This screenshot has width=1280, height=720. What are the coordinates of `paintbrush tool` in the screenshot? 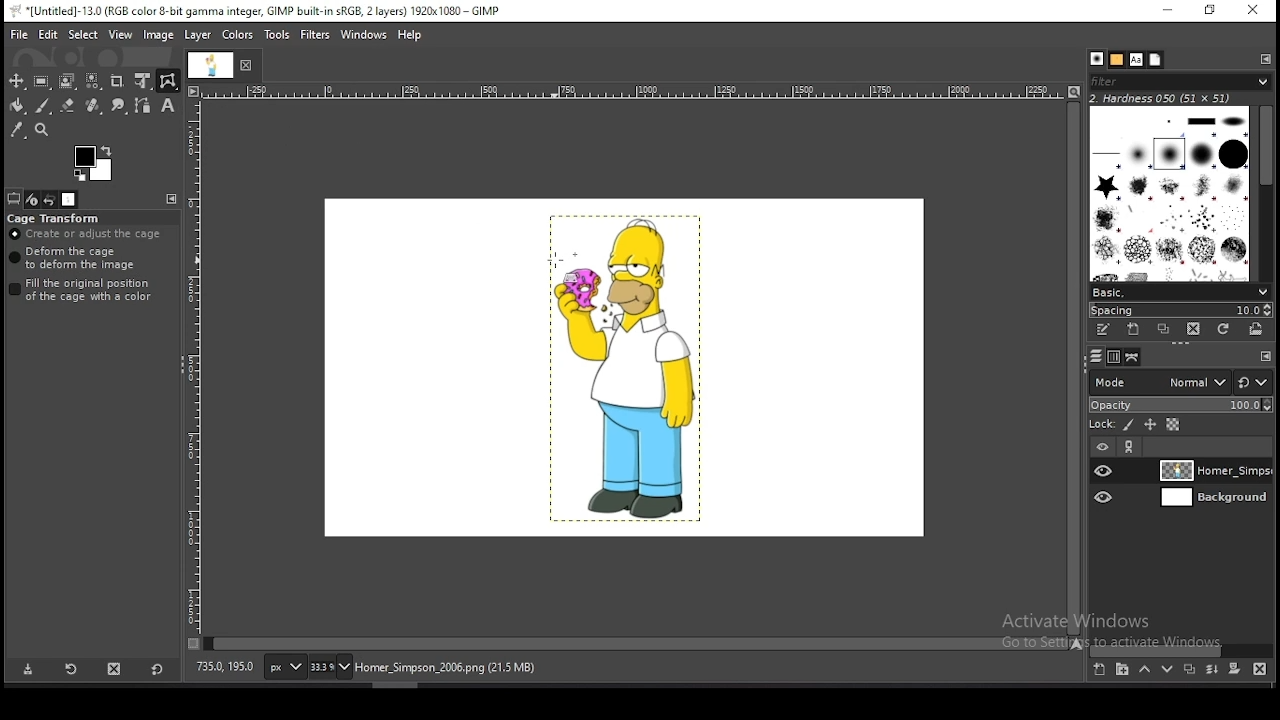 It's located at (42, 106).